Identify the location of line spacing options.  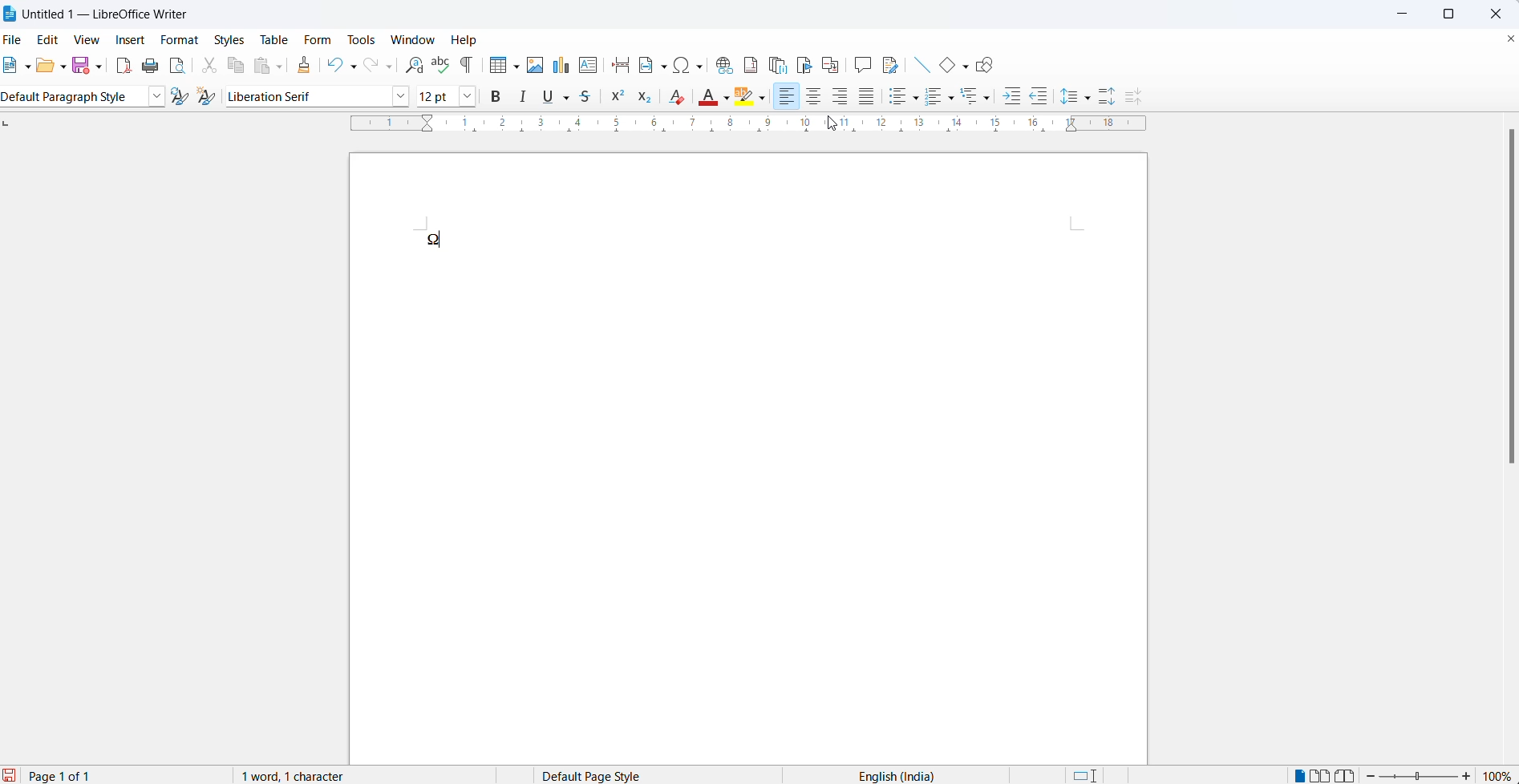
(1091, 95).